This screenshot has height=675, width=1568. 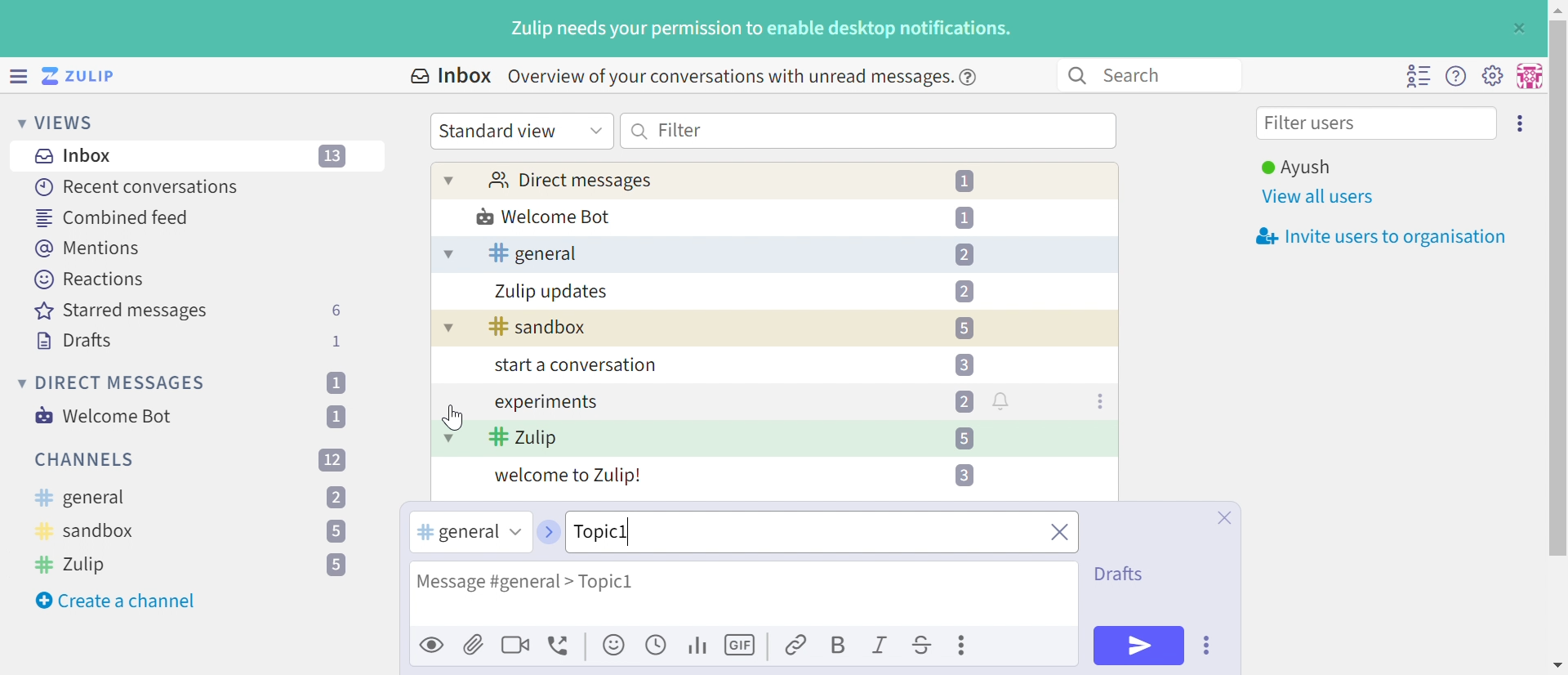 I want to click on Drop Down, so click(x=449, y=180).